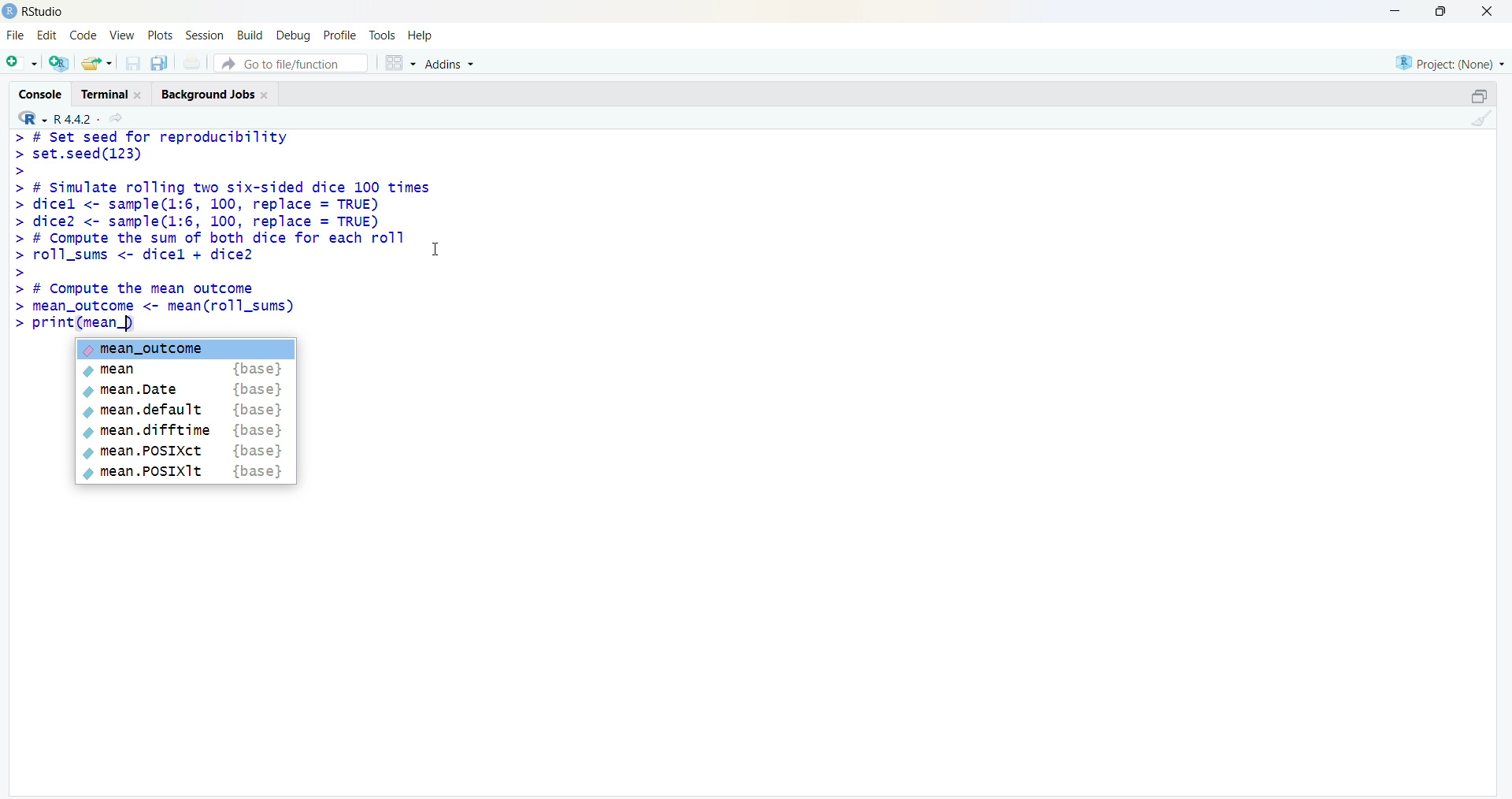 The height and width of the screenshot is (799, 1512). I want to click on mean .POSIXct {base}, so click(183, 451).